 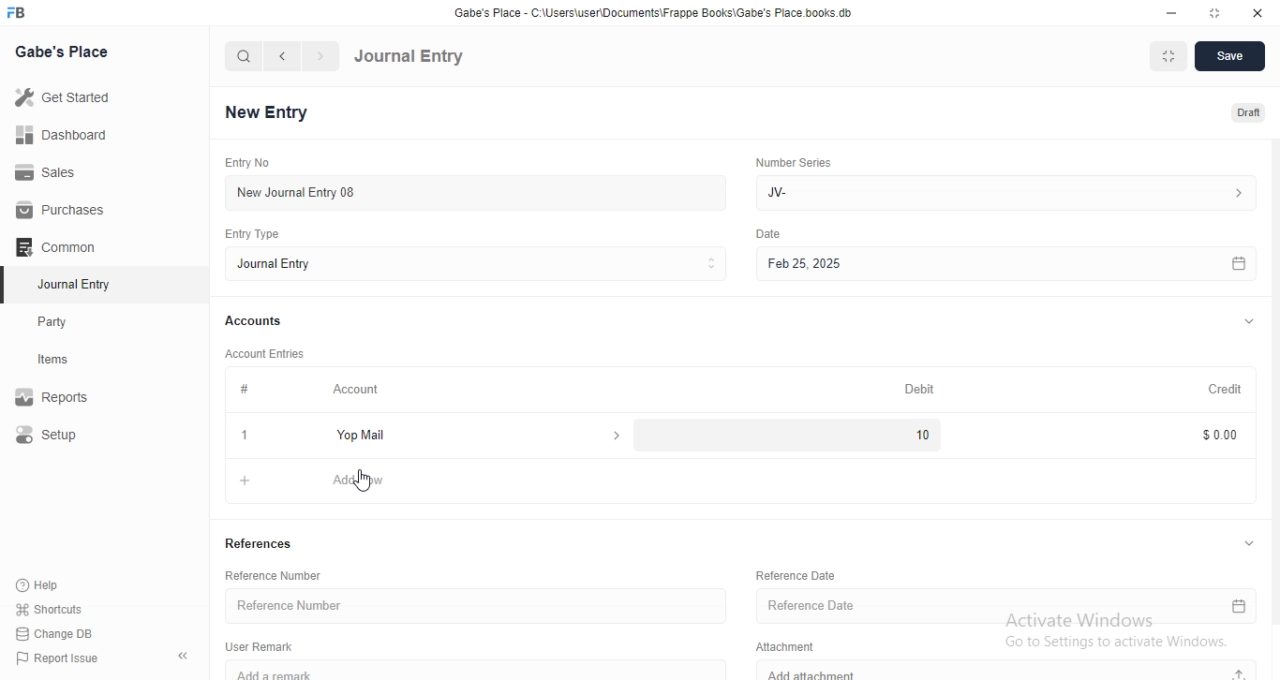 What do you see at coordinates (919, 388) in the screenshot?
I see `Debit` at bounding box center [919, 388].